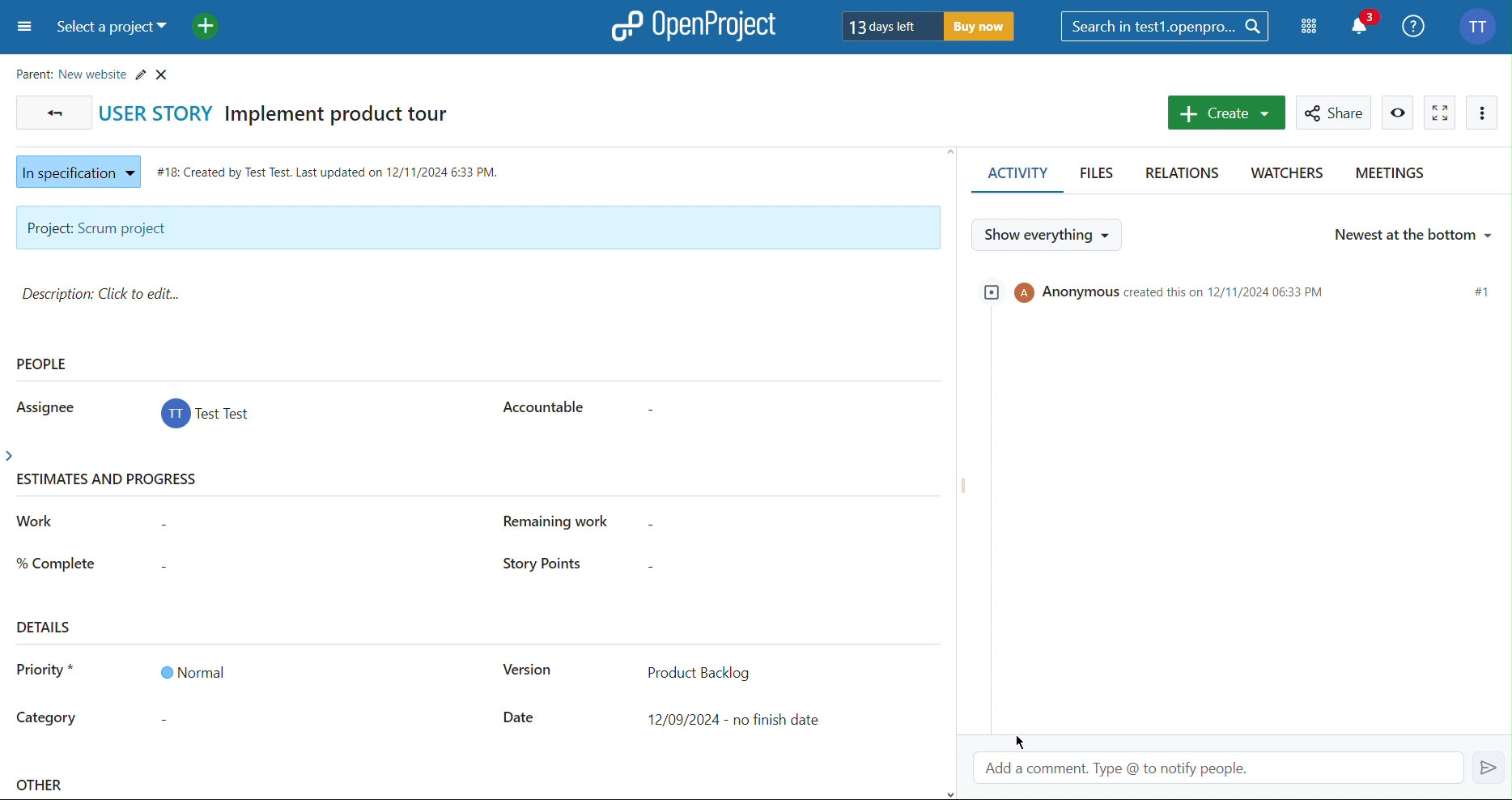  I want to click on Menu, so click(22, 28).